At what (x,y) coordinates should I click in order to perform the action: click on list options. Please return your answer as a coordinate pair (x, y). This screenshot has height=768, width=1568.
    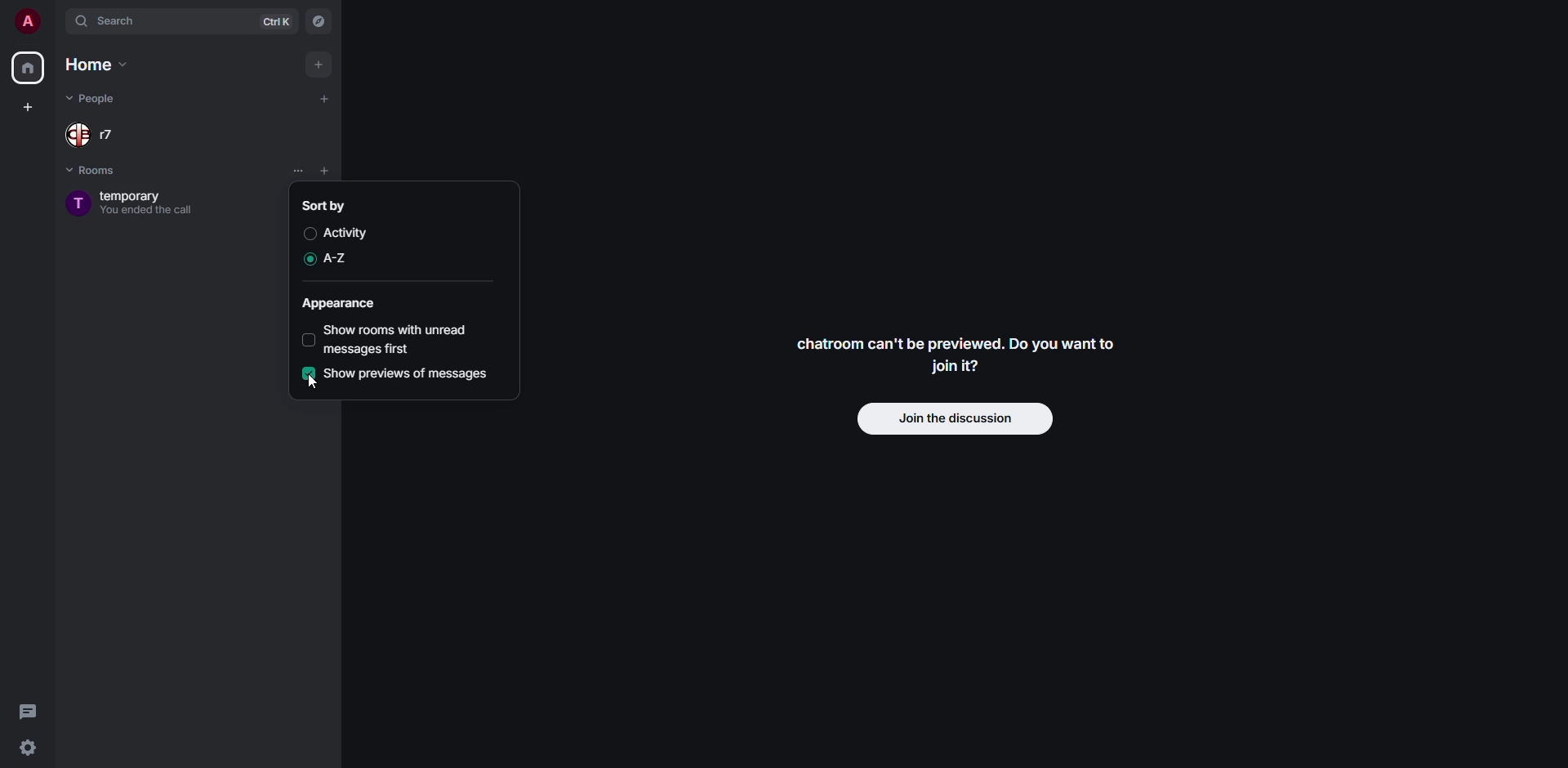
    Looking at the image, I should click on (297, 171).